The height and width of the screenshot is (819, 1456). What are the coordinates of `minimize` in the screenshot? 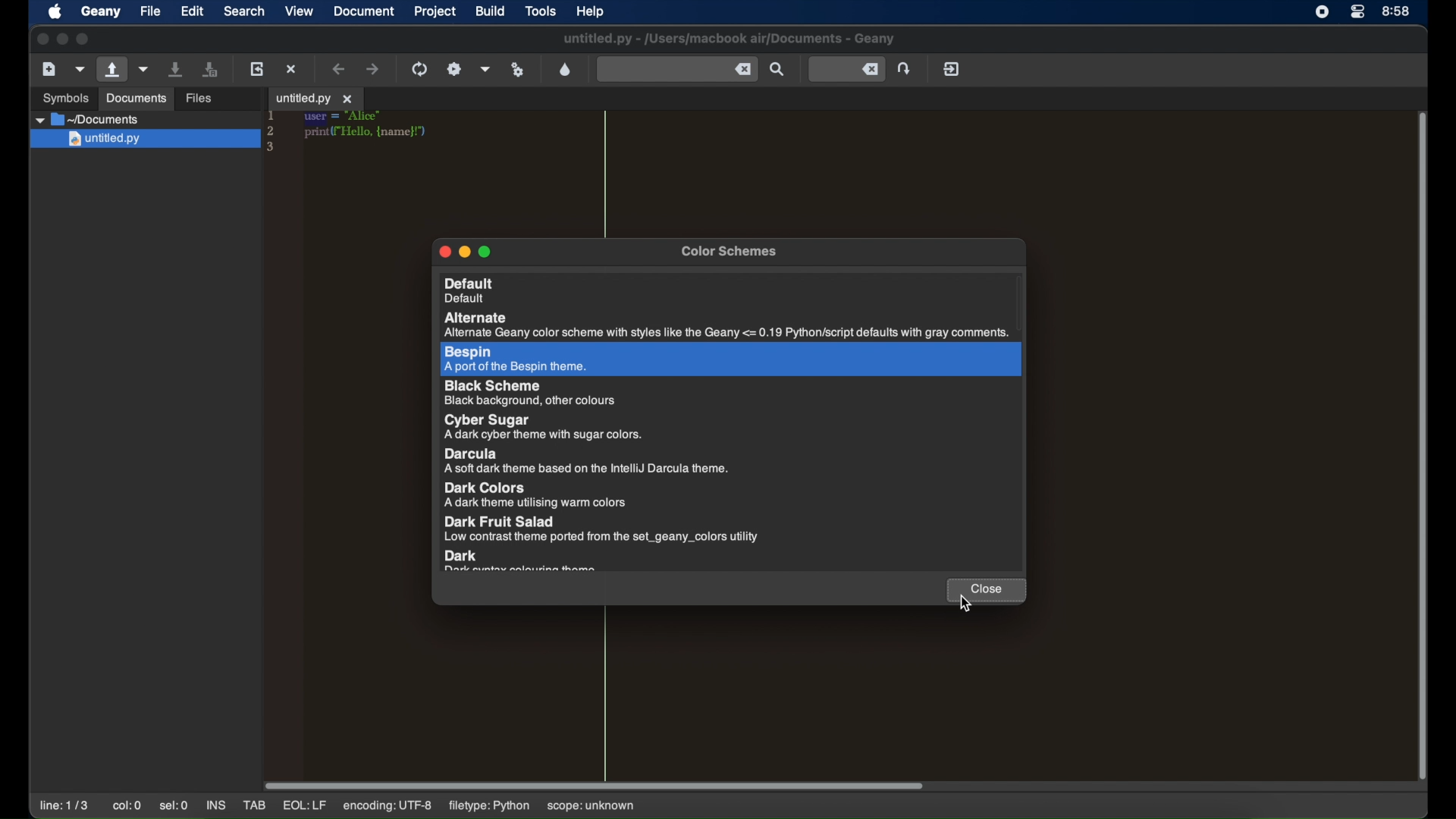 It's located at (62, 39).